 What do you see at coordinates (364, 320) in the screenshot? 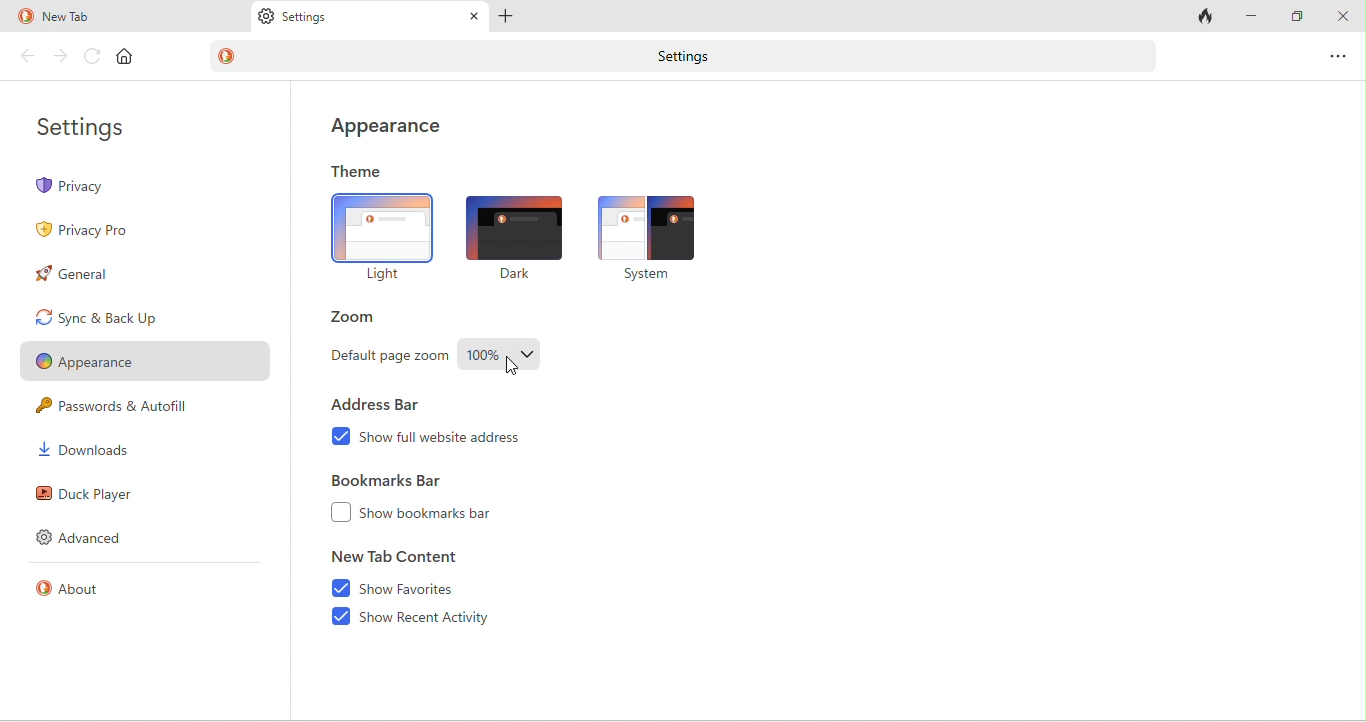
I see `zoom` at bounding box center [364, 320].